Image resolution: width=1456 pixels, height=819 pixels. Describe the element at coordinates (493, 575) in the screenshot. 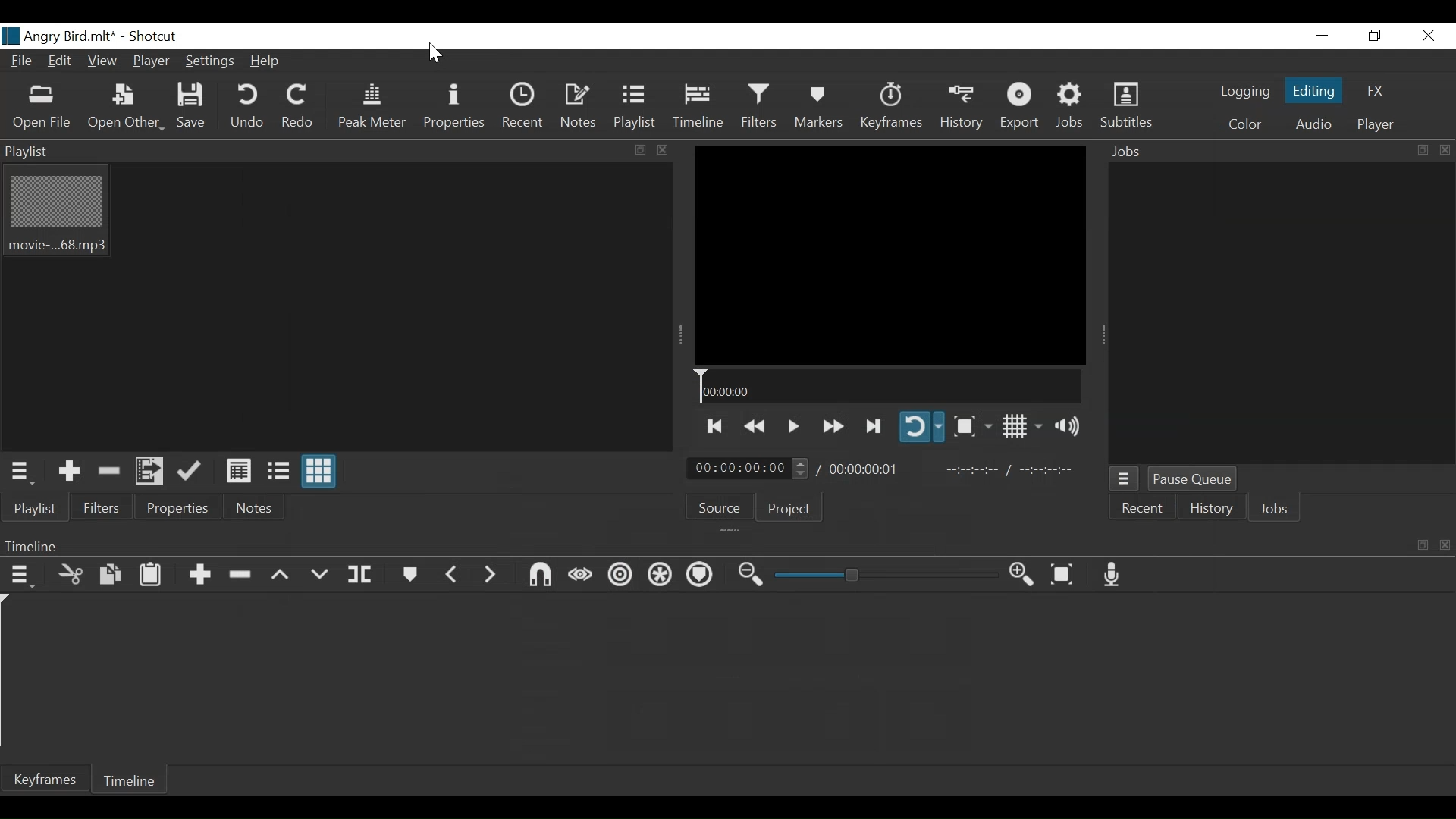

I see `Next Marker` at that location.